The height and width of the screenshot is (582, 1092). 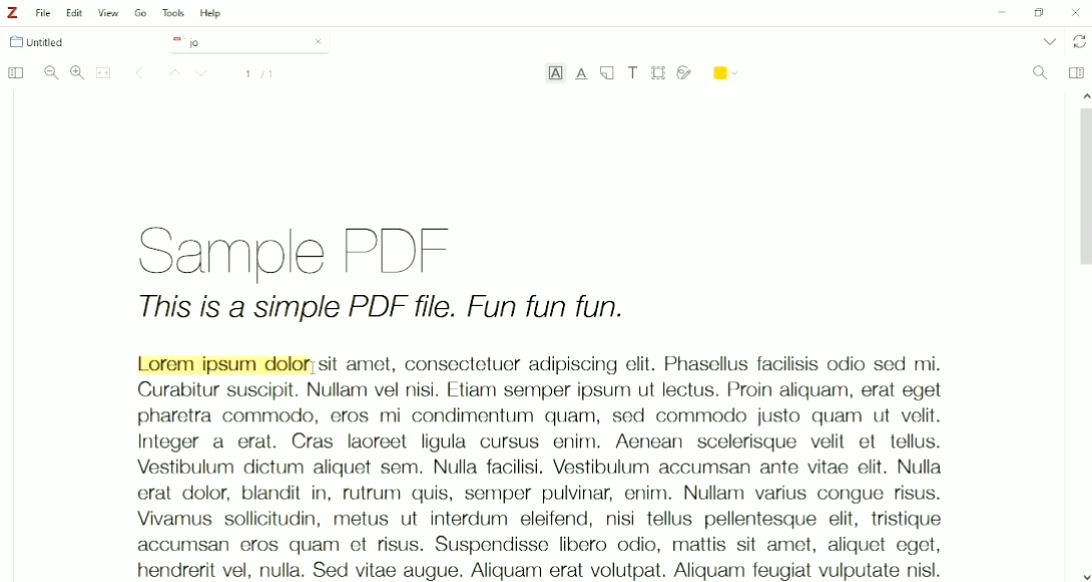 I want to click on This is a simple PDF file. Fun fun fun., so click(x=382, y=310).